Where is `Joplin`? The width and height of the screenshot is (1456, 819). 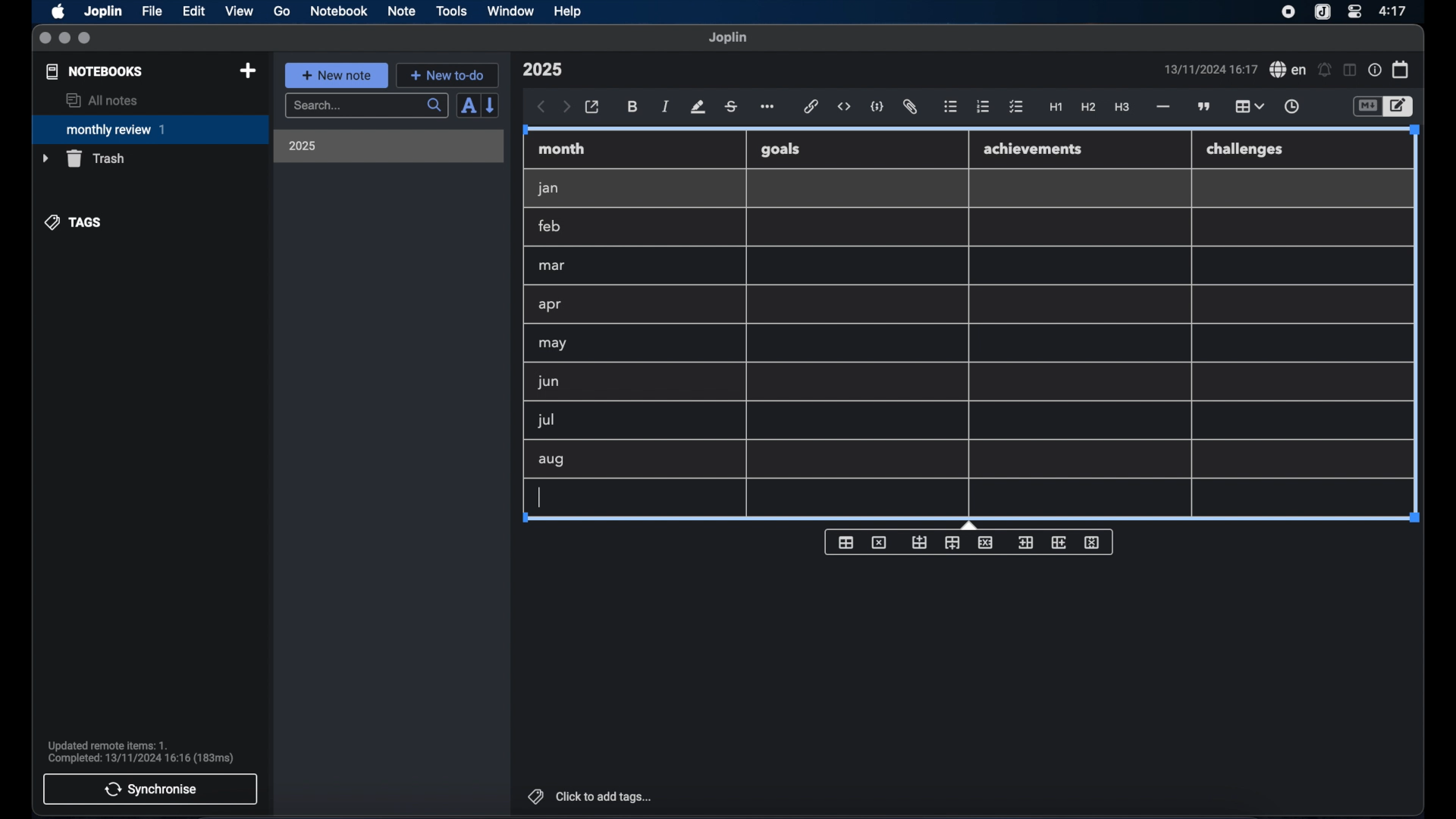
Joplin is located at coordinates (105, 12).